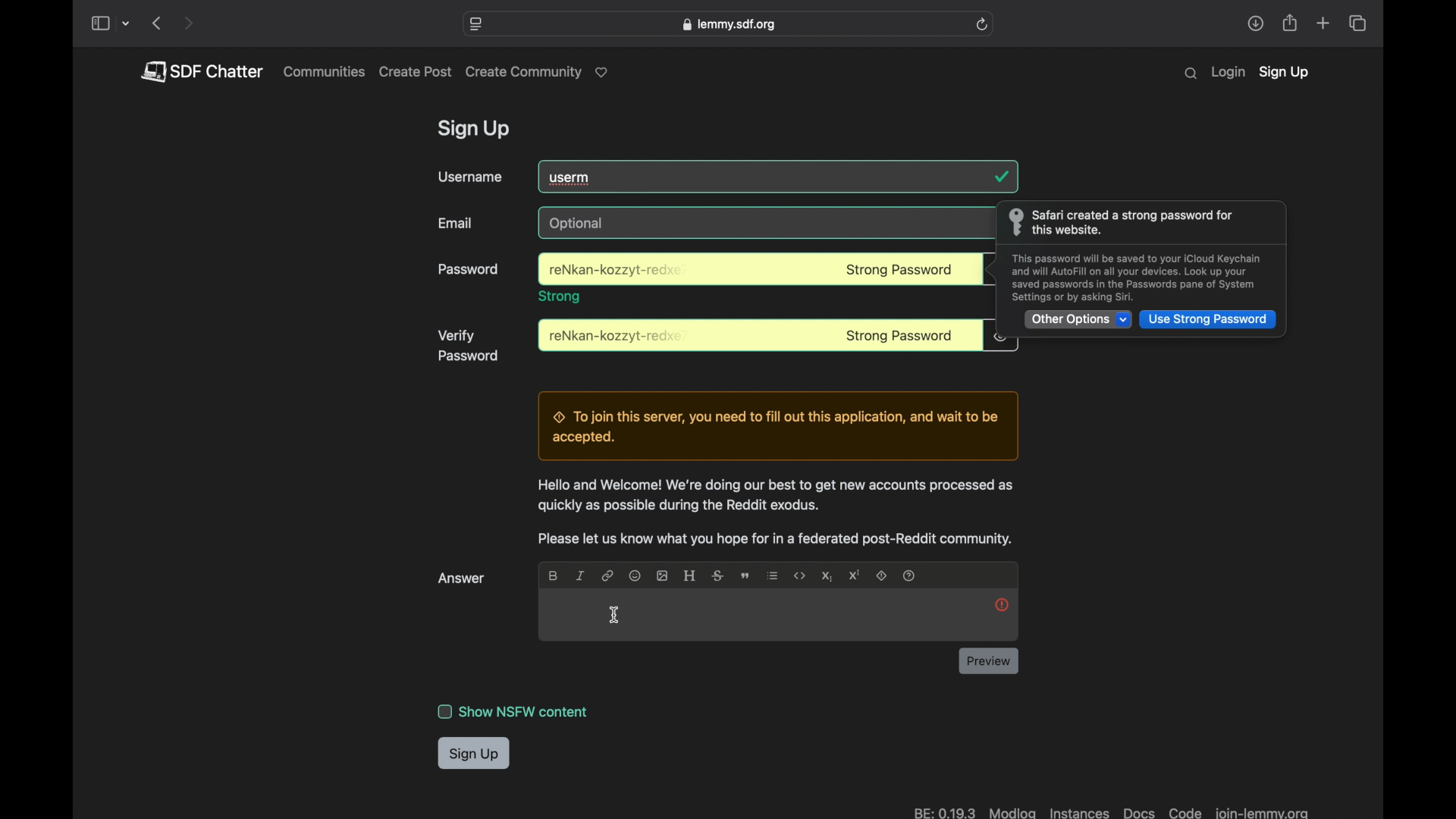 Image resolution: width=1456 pixels, height=819 pixels. Describe the element at coordinates (1284, 74) in the screenshot. I see `sign up` at that location.